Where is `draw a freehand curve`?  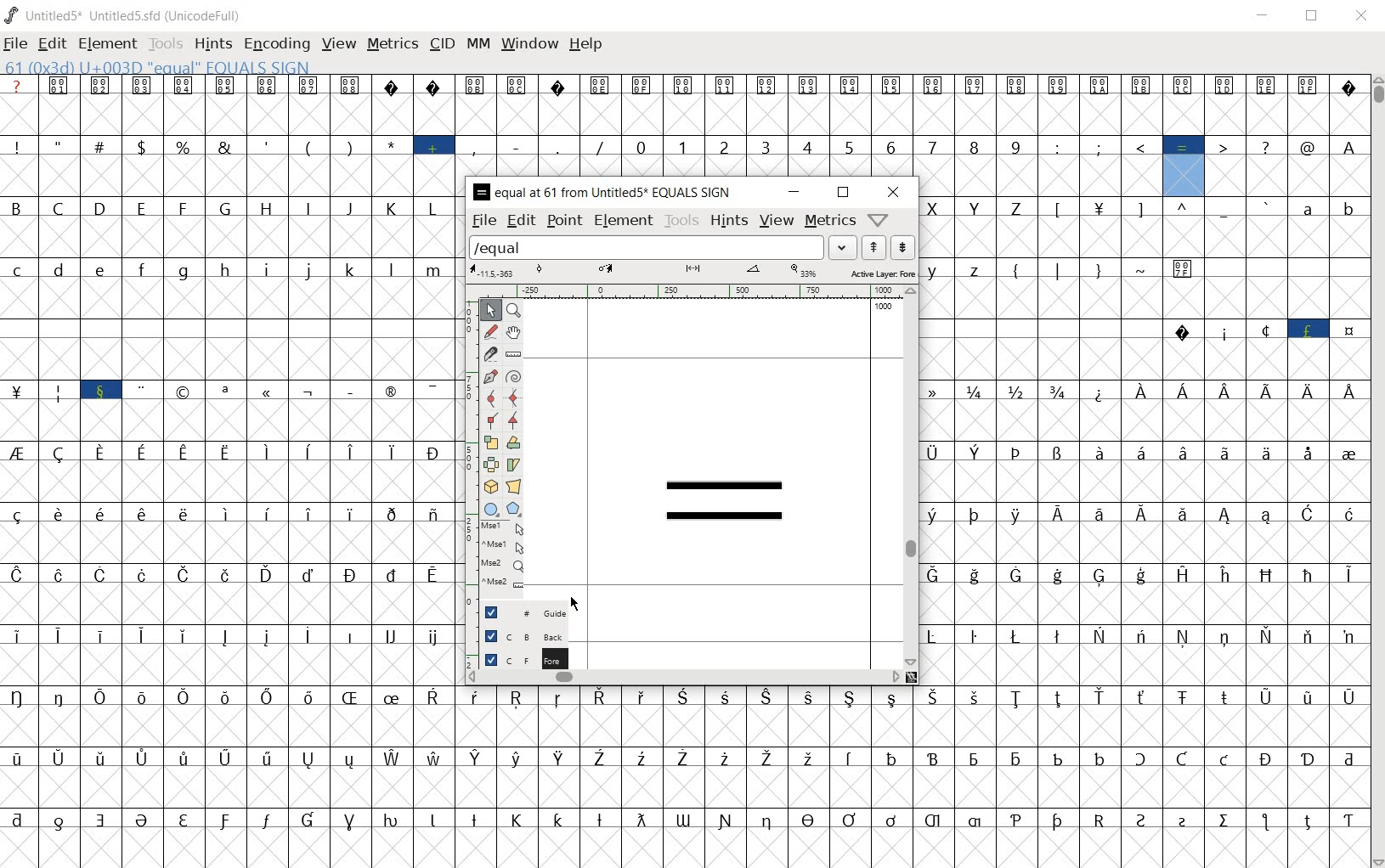 draw a freehand curve is located at coordinates (489, 330).